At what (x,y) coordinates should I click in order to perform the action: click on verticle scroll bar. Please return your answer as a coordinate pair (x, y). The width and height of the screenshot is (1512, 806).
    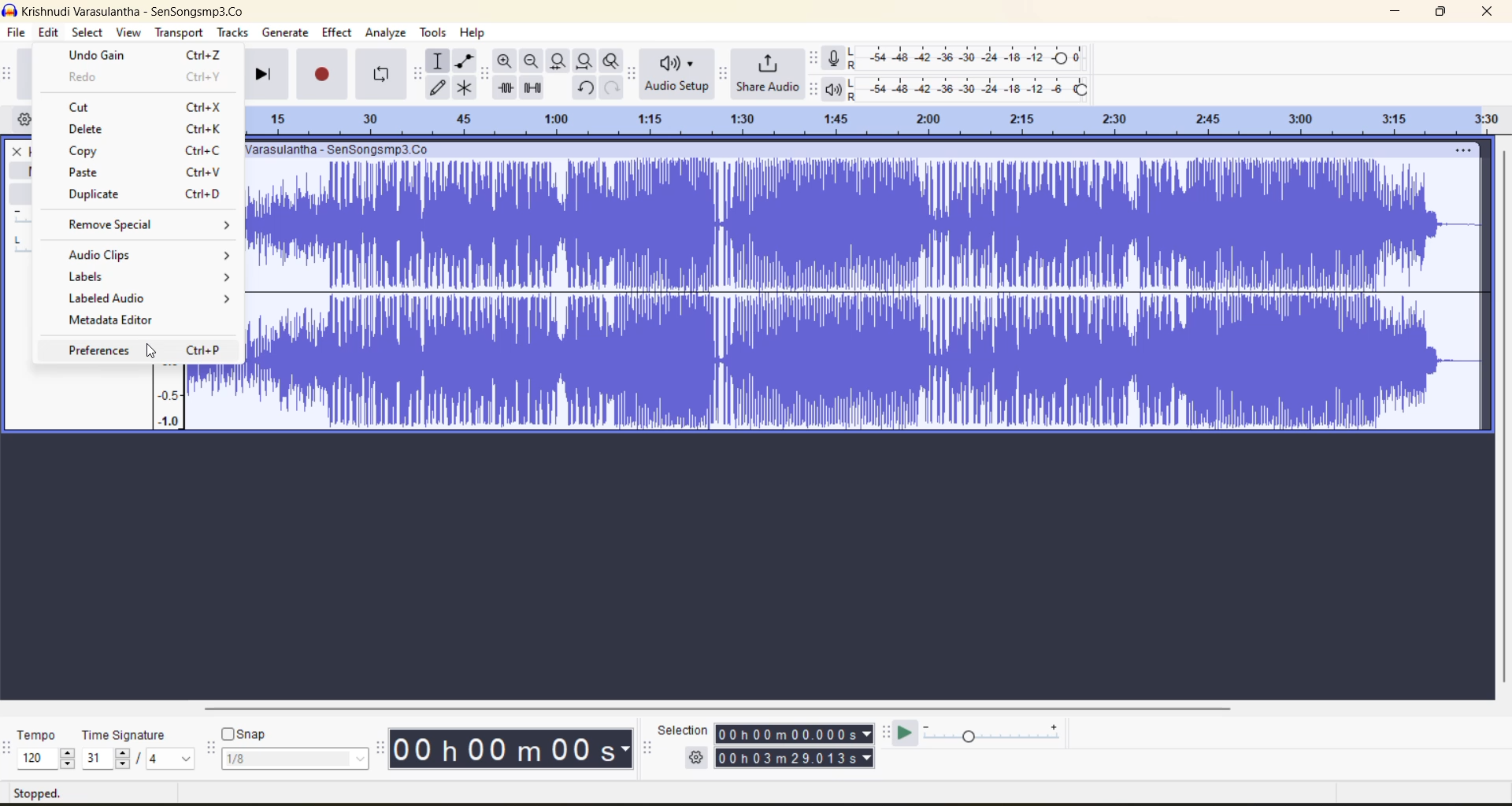
    Looking at the image, I should click on (1504, 414).